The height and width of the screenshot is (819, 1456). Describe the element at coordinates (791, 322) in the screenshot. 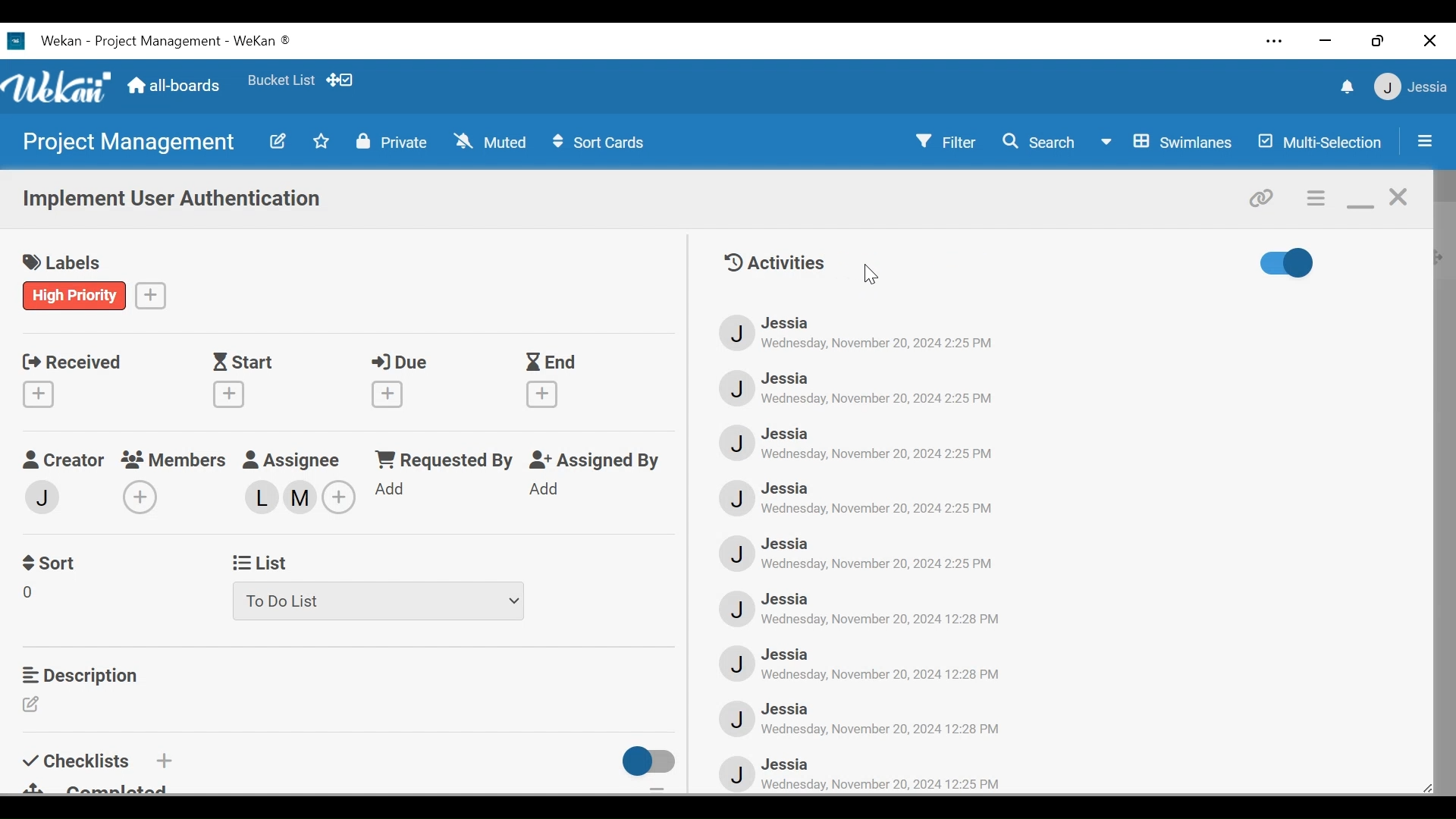

I see `Member Name` at that location.